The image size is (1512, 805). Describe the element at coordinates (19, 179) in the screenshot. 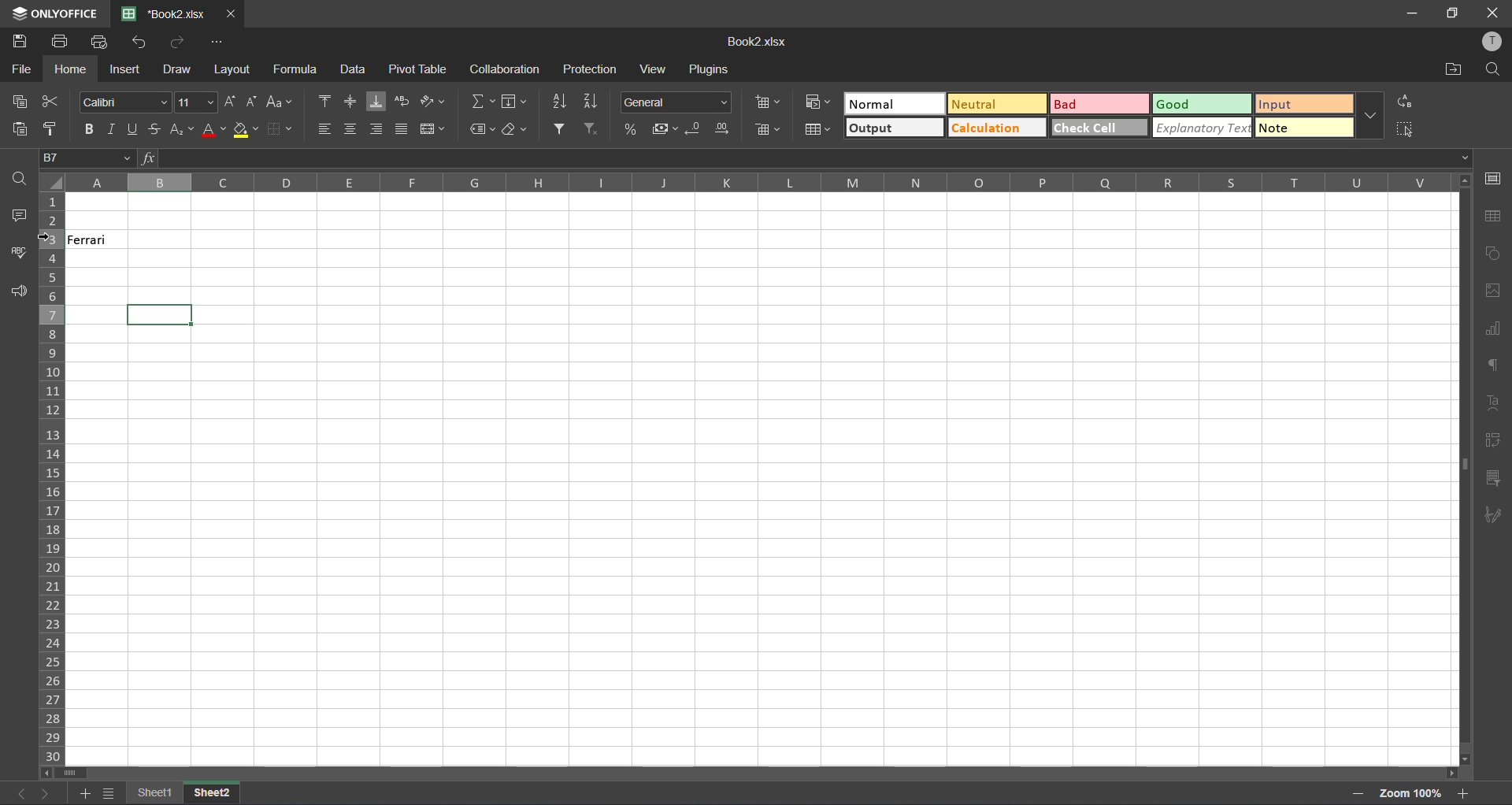

I see `find` at that location.